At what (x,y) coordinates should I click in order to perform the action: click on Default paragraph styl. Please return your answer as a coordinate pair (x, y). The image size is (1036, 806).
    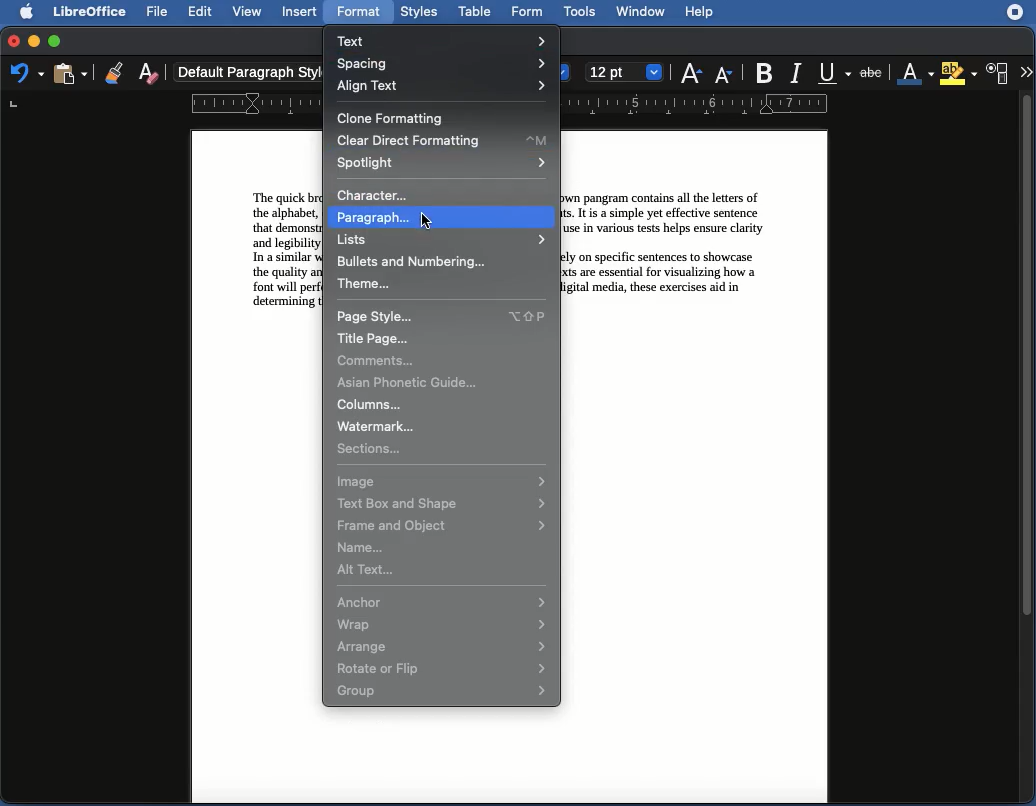
    Looking at the image, I should click on (246, 73).